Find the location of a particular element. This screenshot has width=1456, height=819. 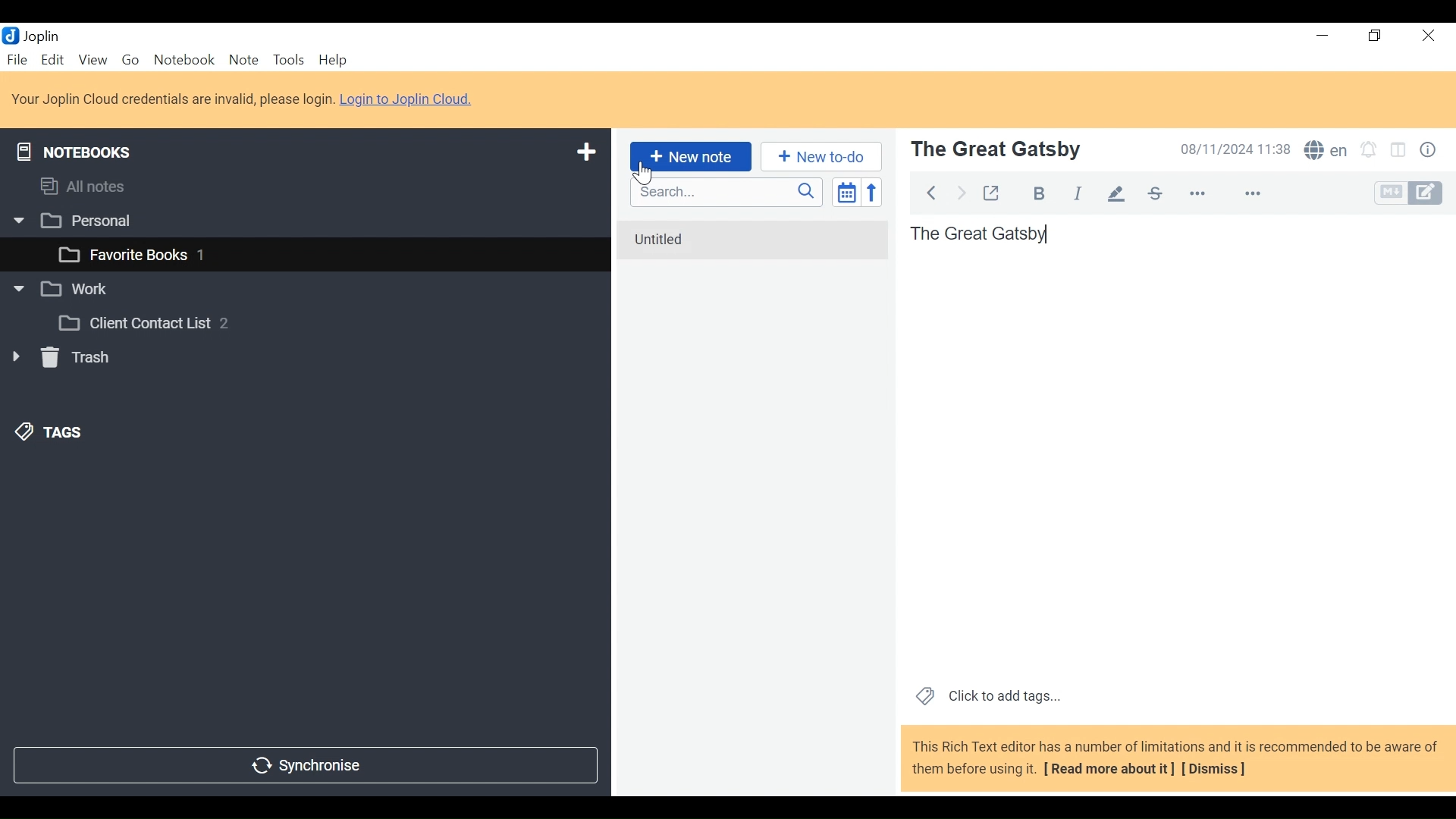

Trash is located at coordinates (62, 360).